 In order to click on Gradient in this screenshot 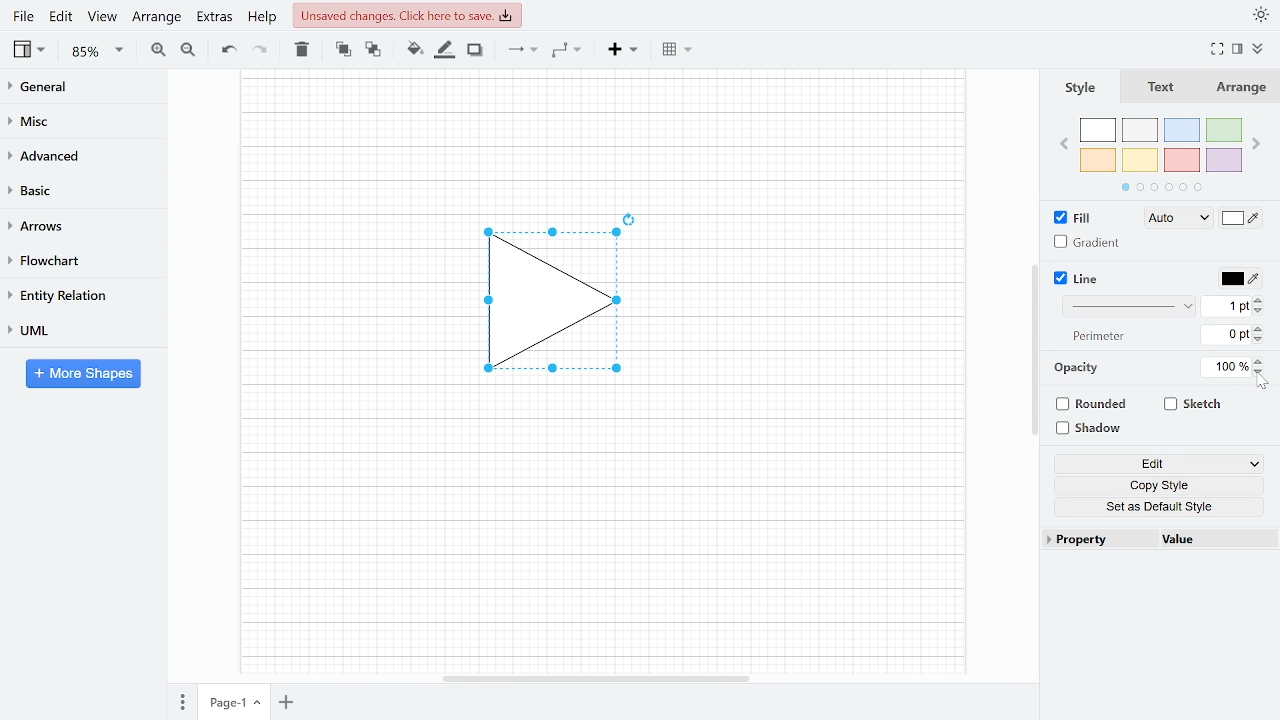, I will do `click(1088, 242)`.